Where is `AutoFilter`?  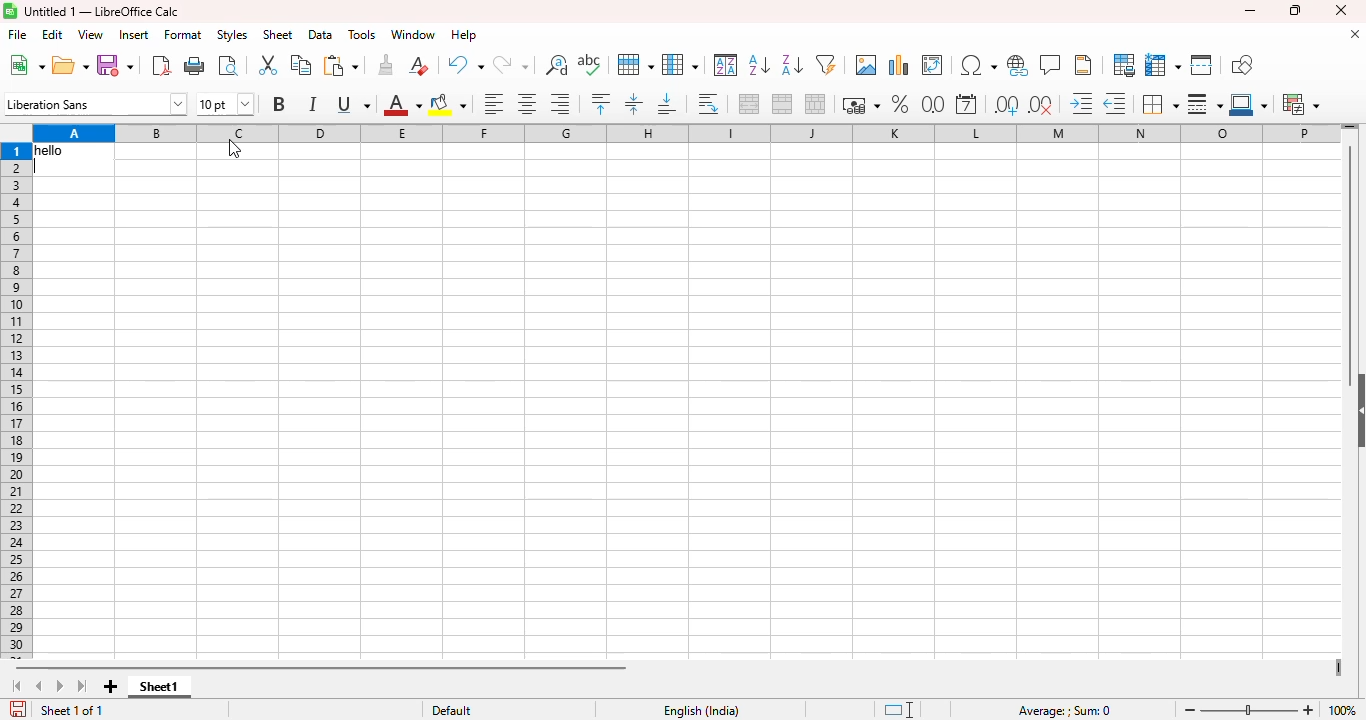
AutoFilter is located at coordinates (826, 64).